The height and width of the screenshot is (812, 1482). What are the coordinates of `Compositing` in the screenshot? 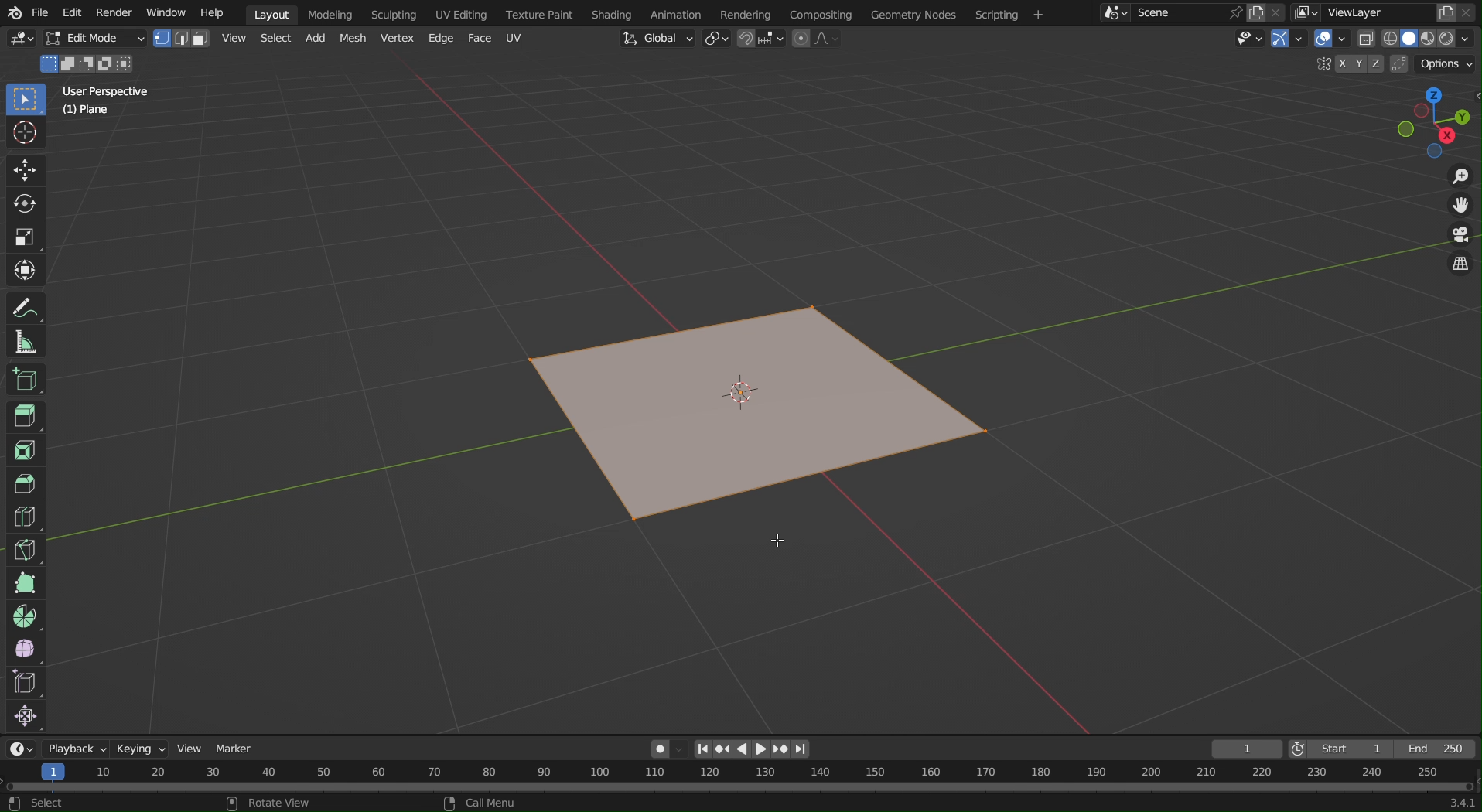 It's located at (825, 14).